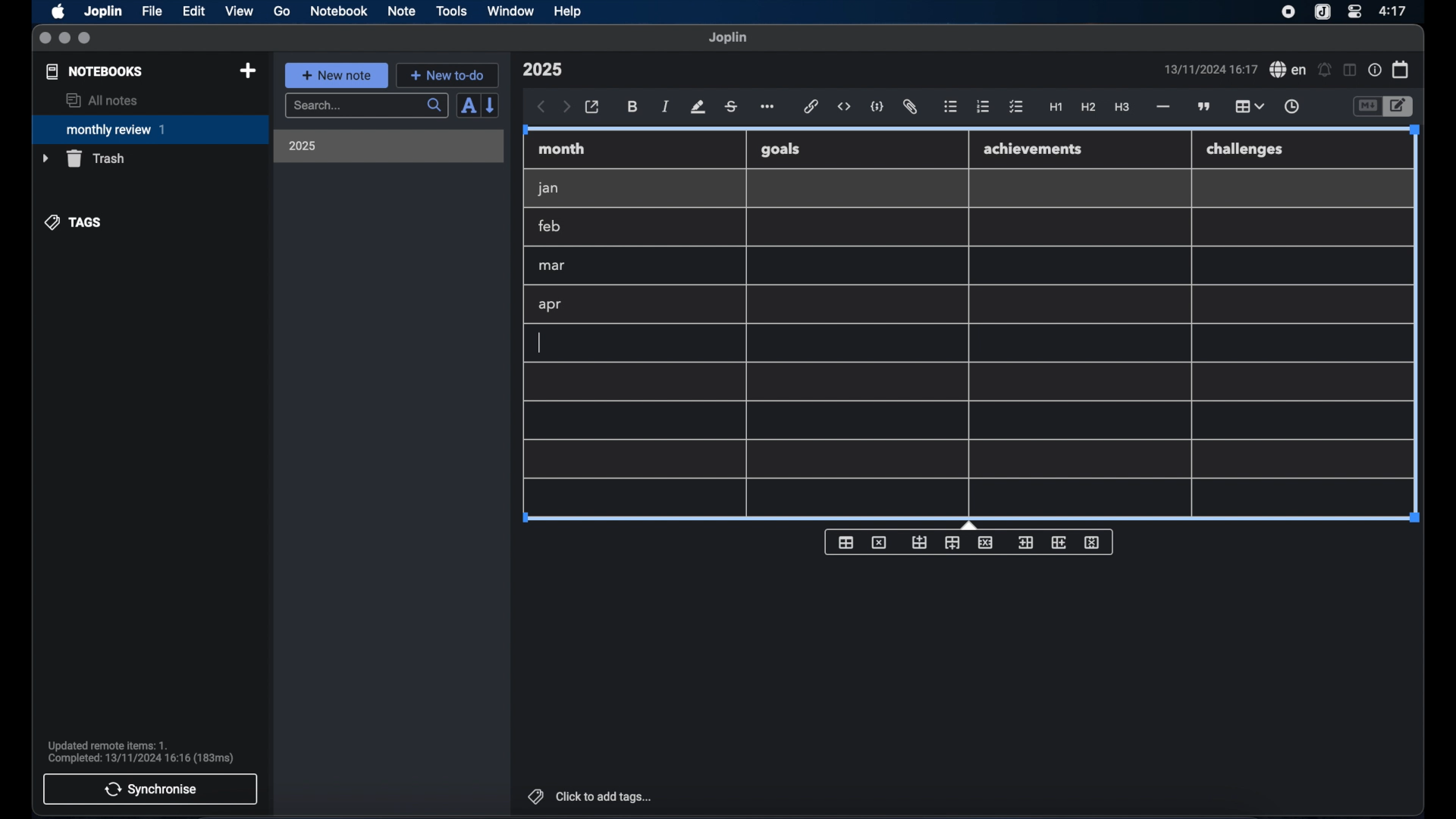 This screenshot has width=1456, height=819. What do you see at coordinates (566, 108) in the screenshot?
I see `forward` at bounding box center [566, 108].